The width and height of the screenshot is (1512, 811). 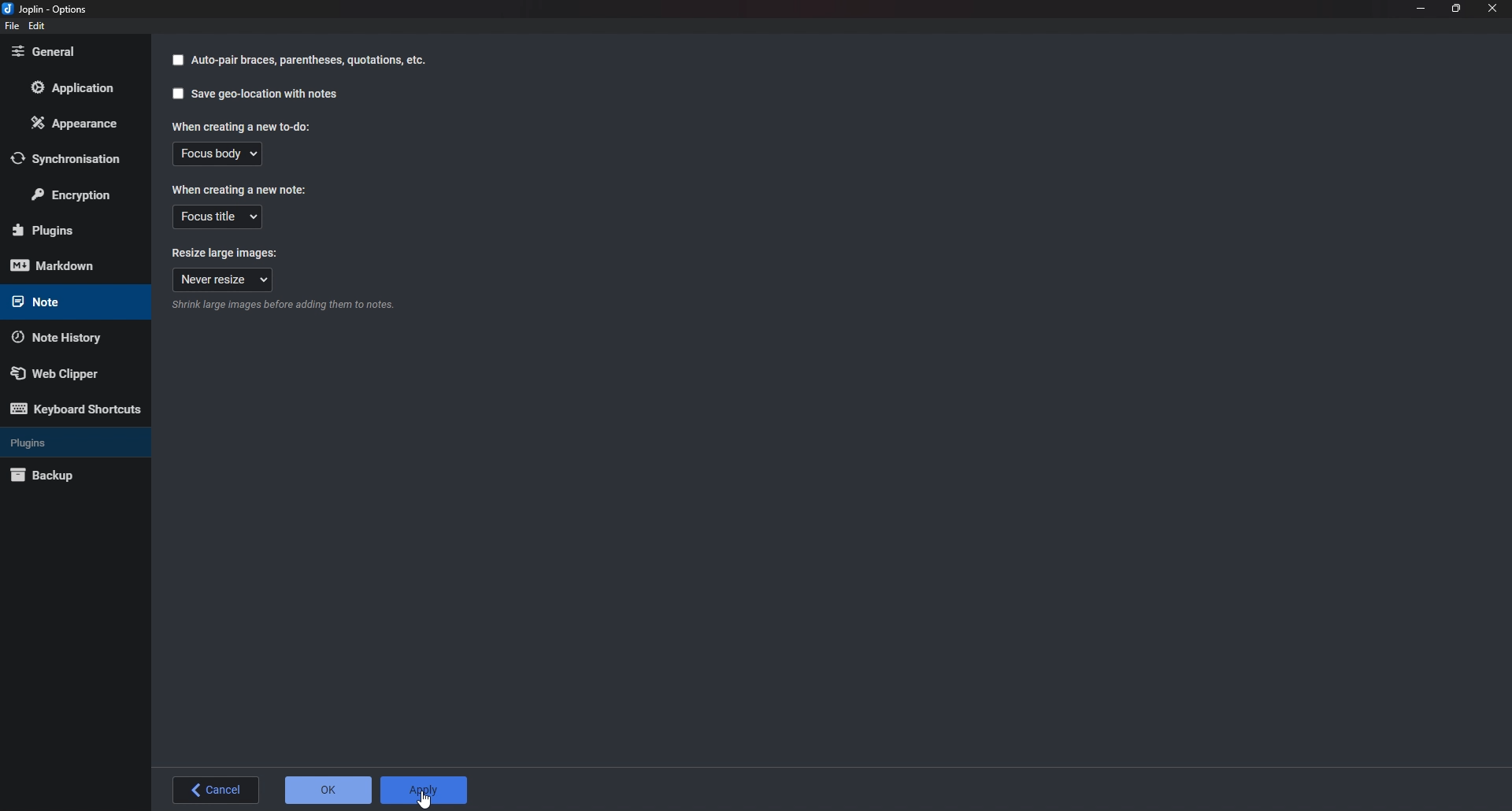 What do you see at coordinates (54, 10) in the screenshot?
I see `Joplin` at bounding box center [54, 10].